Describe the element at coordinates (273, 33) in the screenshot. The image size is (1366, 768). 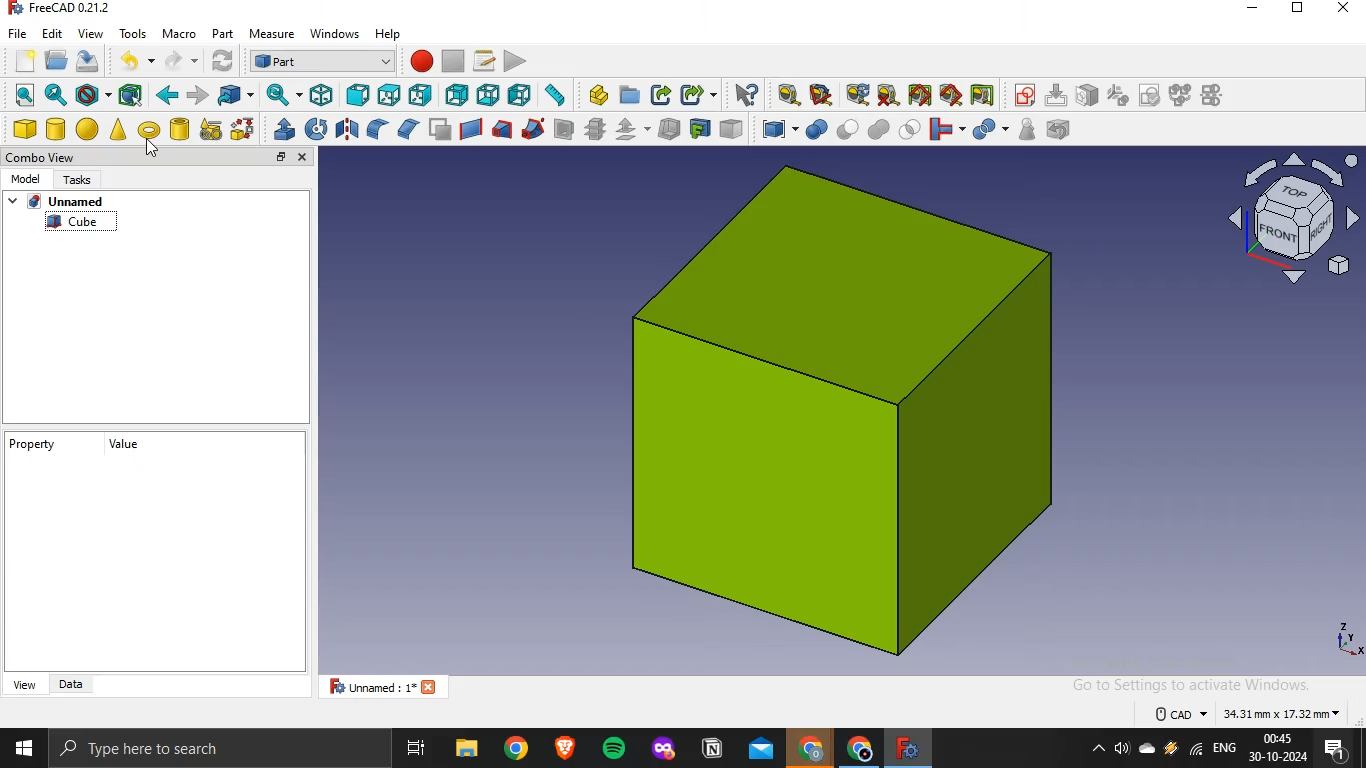
I see `measure` at that location.